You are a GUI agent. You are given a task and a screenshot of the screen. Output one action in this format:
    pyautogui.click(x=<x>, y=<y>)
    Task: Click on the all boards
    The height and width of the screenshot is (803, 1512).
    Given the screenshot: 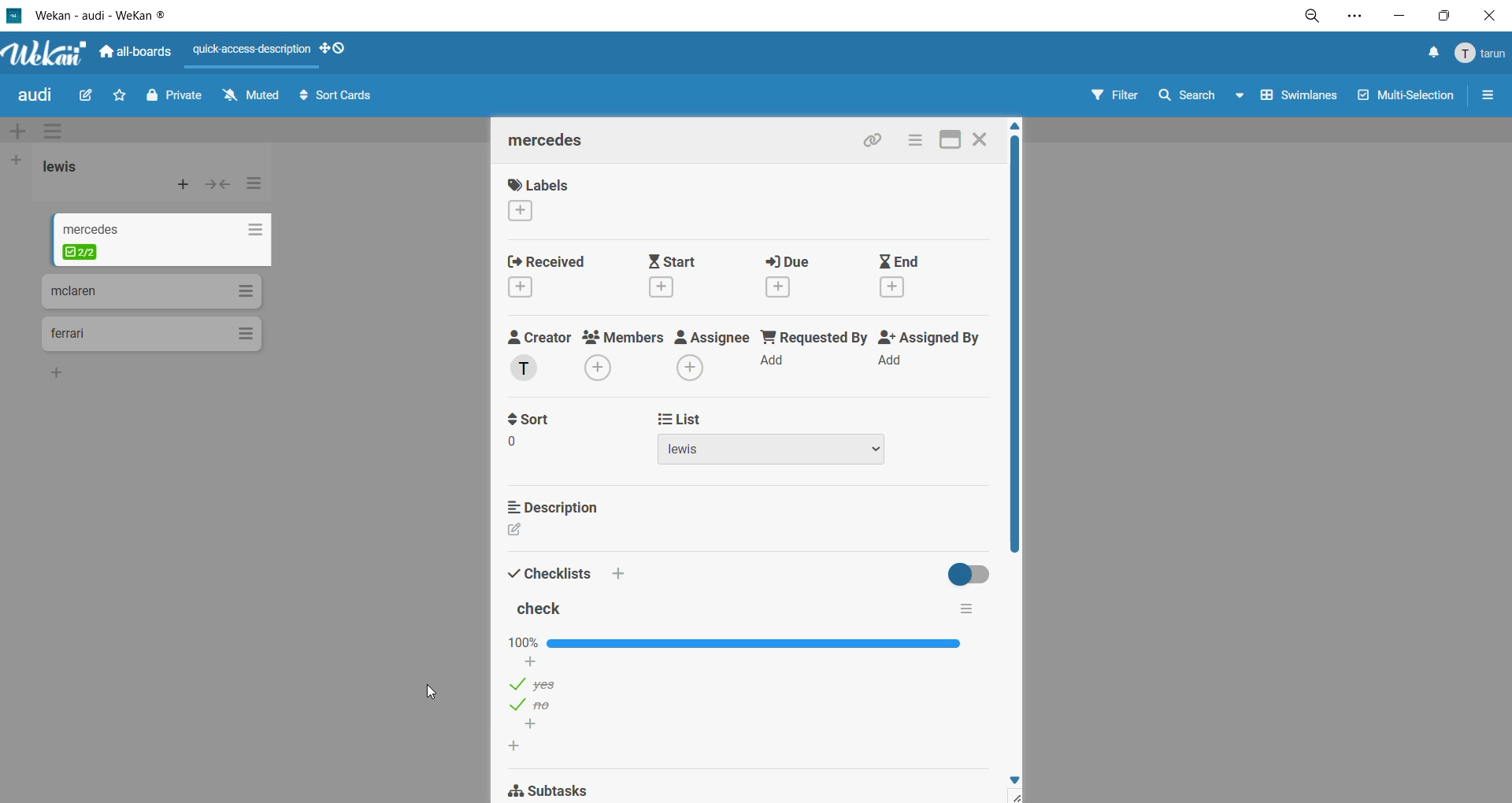 What is the action you would take?
    pyautogui.click(x=136, y=50)
    